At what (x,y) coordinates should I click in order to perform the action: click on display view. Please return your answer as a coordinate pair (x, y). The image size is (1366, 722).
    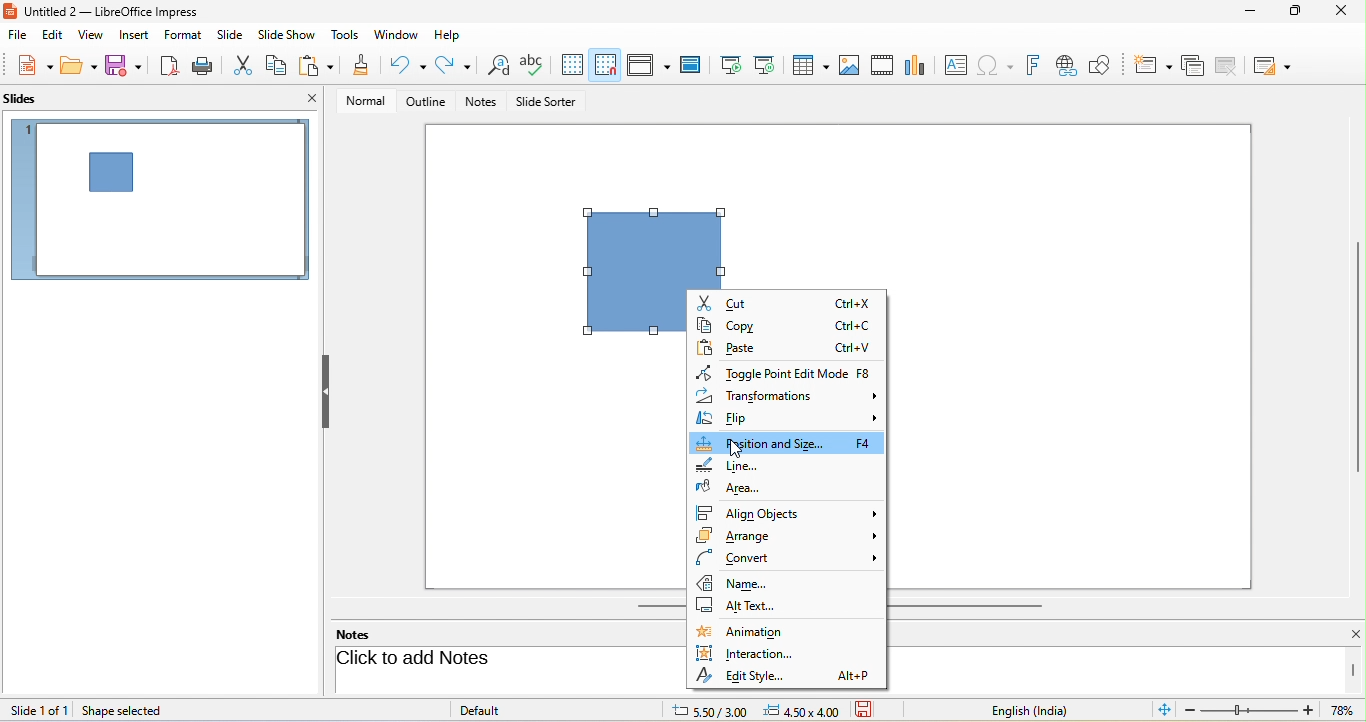
    Looking at the image, I should click on (648, 64).